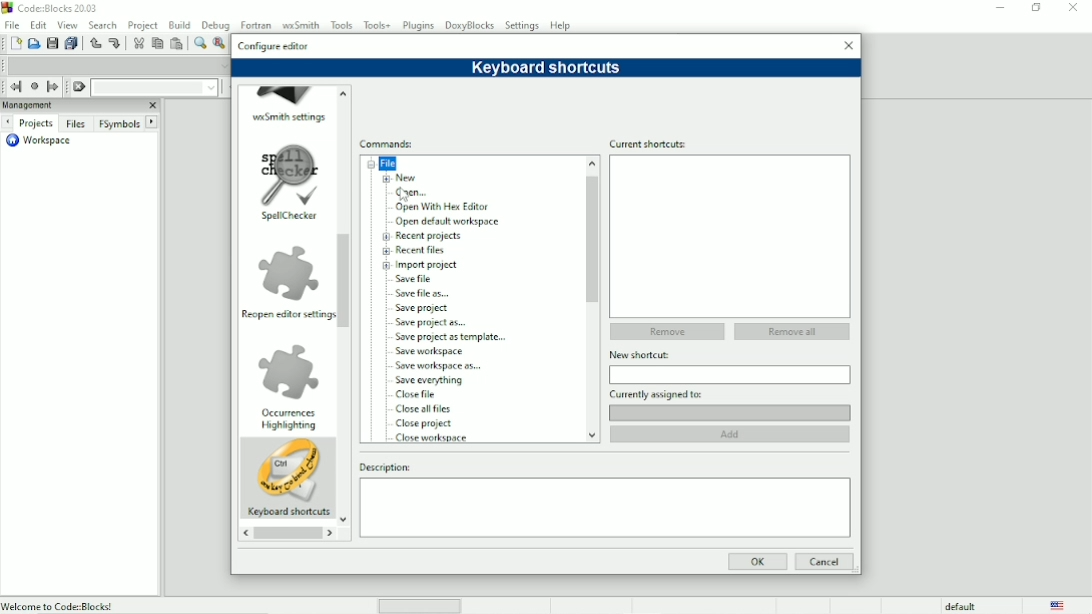 The height and width of the screenshot is (614, 1092). I want to click on Files, so click(76, 125).